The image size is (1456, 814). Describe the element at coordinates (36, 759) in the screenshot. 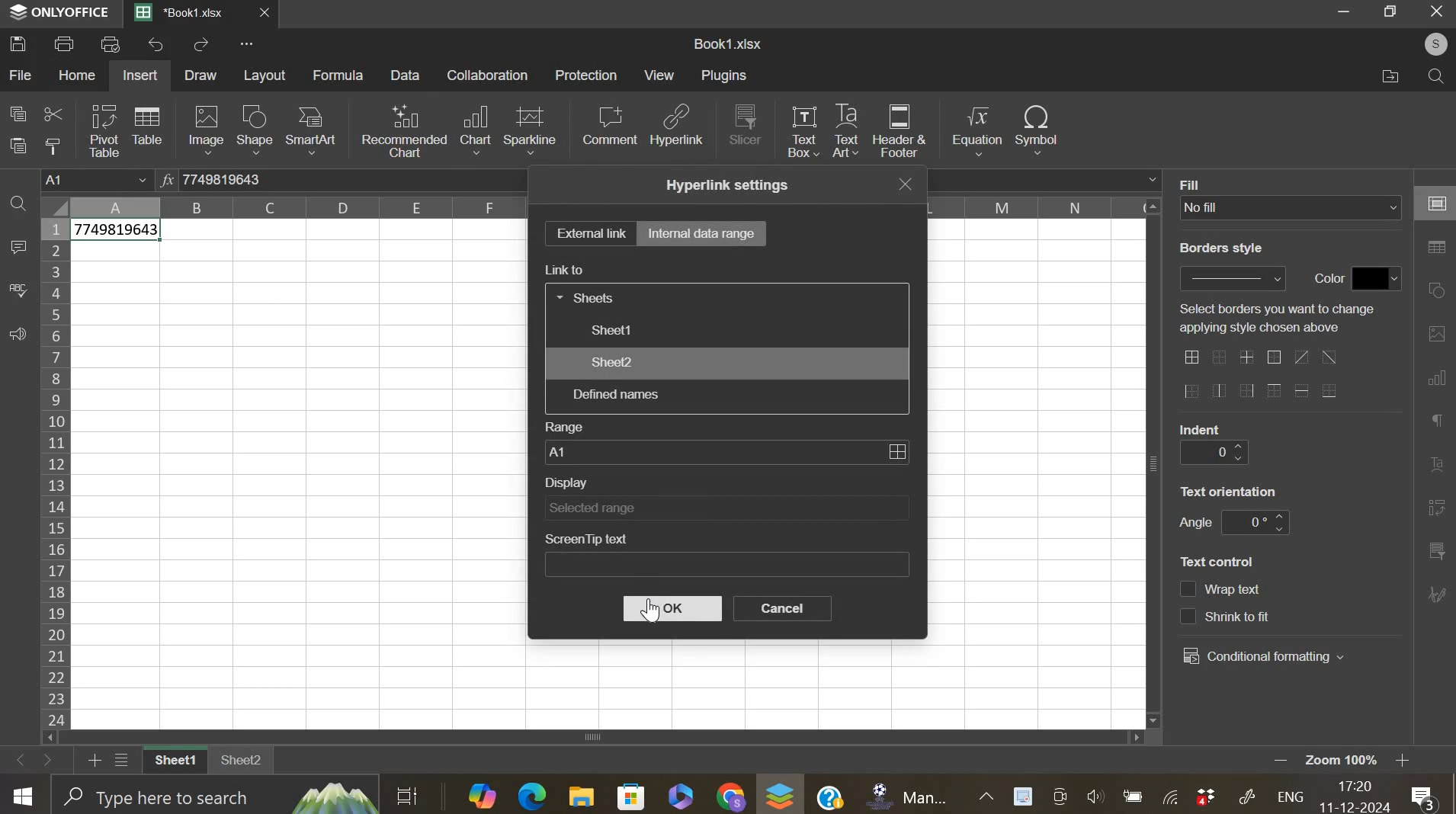

I see `move sheets` at that location.